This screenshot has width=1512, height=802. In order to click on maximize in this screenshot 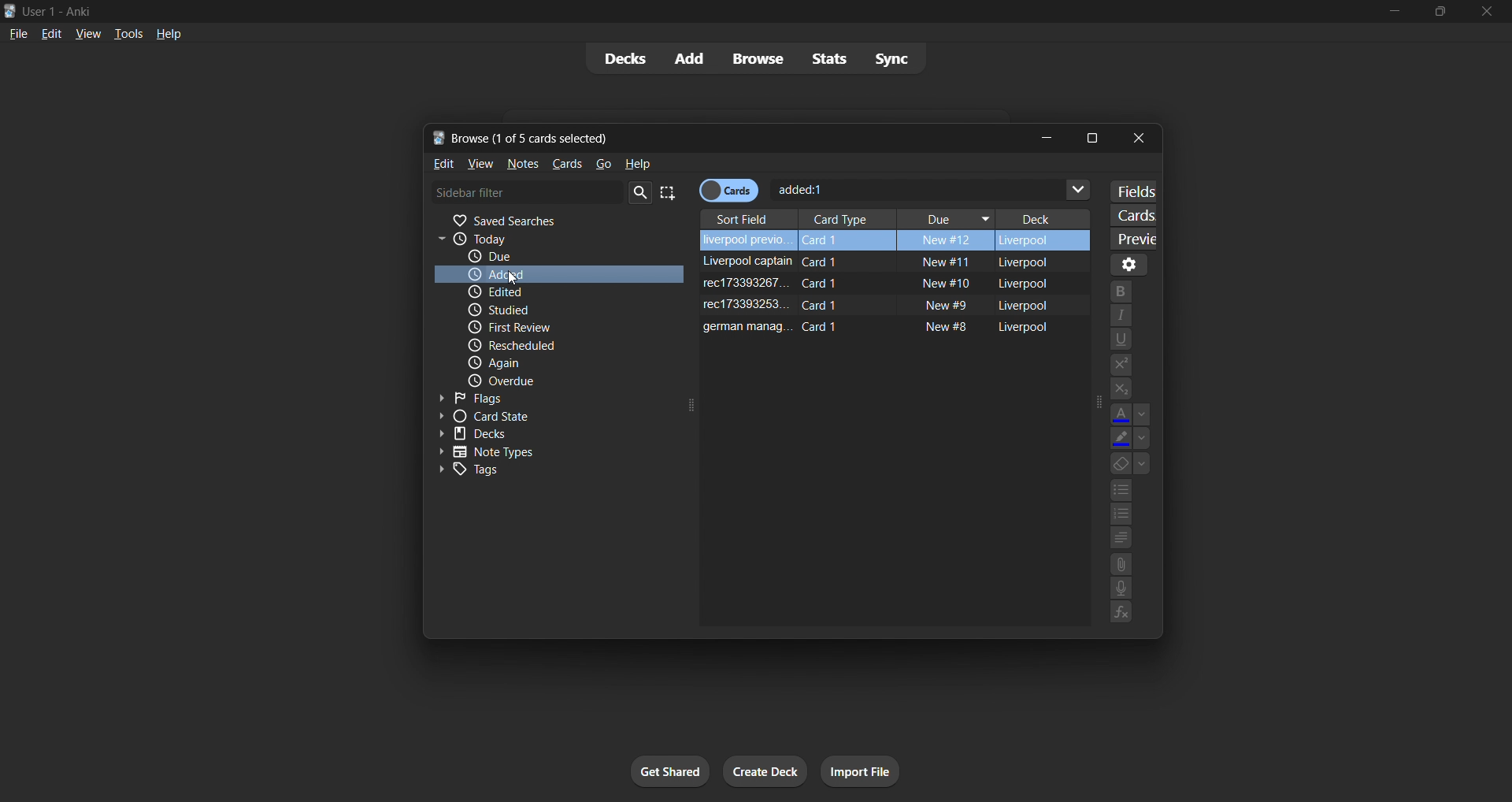, I will do `click(1435, 12)`.